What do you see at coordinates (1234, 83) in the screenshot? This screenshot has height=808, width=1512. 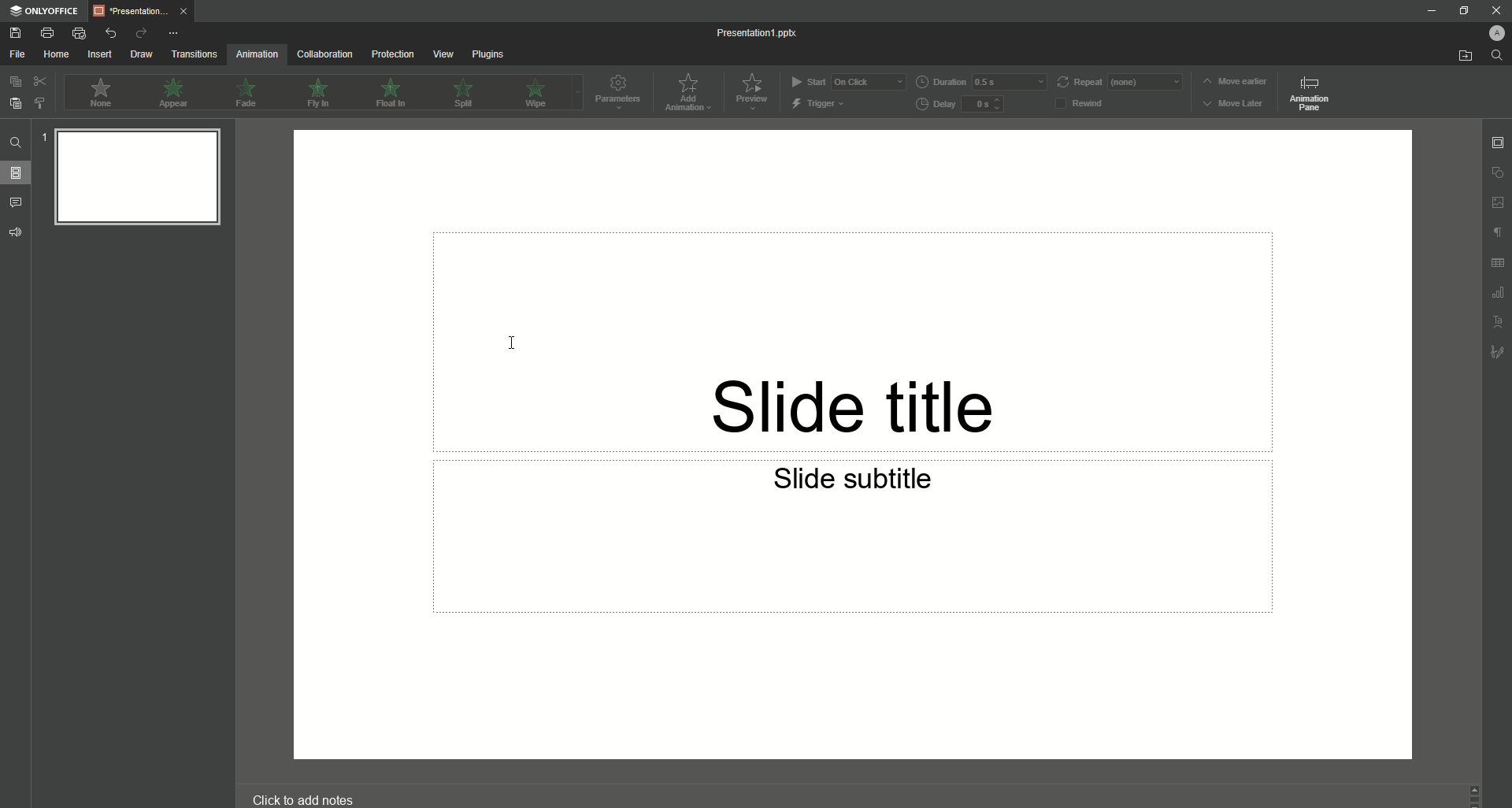 I see `Move Earlier` at bounding box center [1234, 83].